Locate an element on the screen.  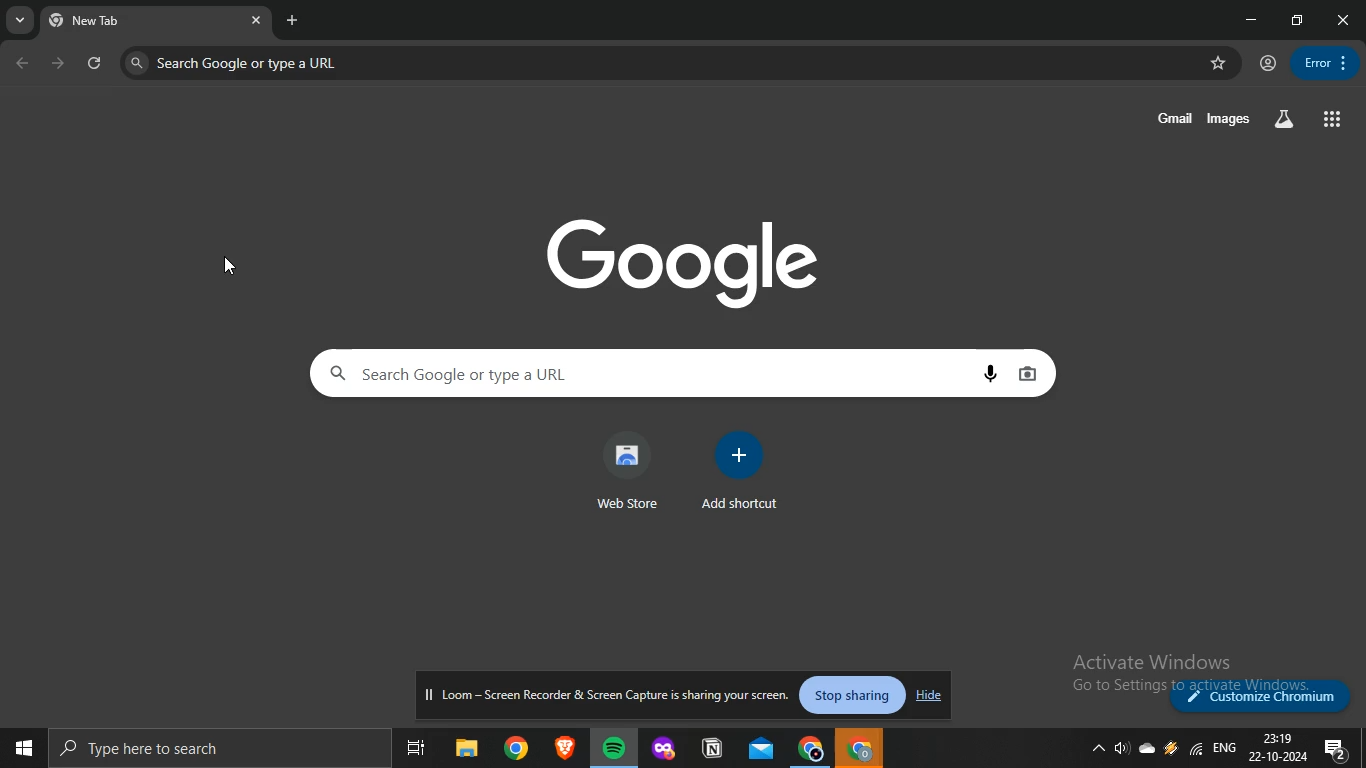
web store is located at coordinates (627, 471).